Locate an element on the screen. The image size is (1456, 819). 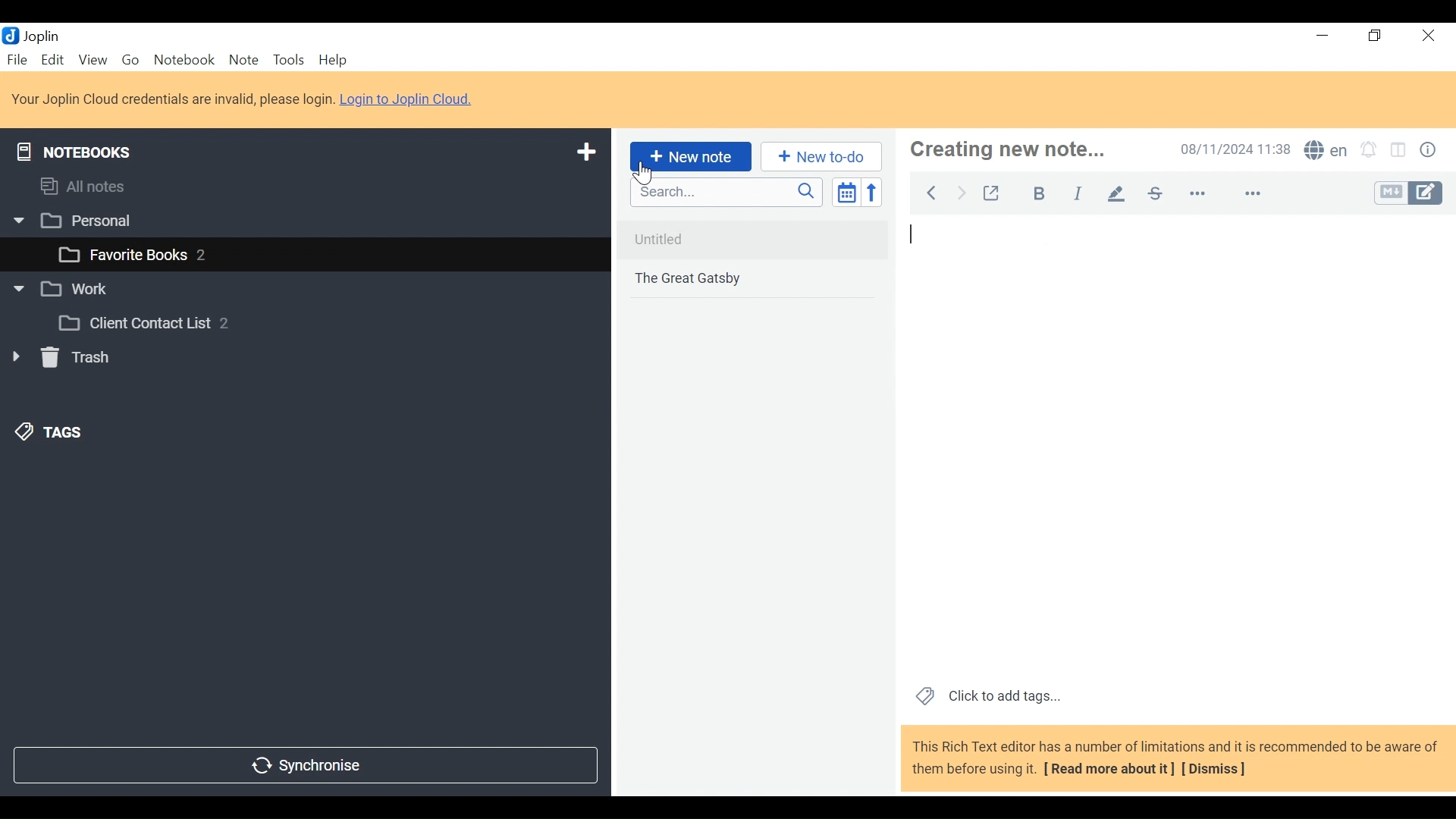
New Note is located at coordinates (691, 156).